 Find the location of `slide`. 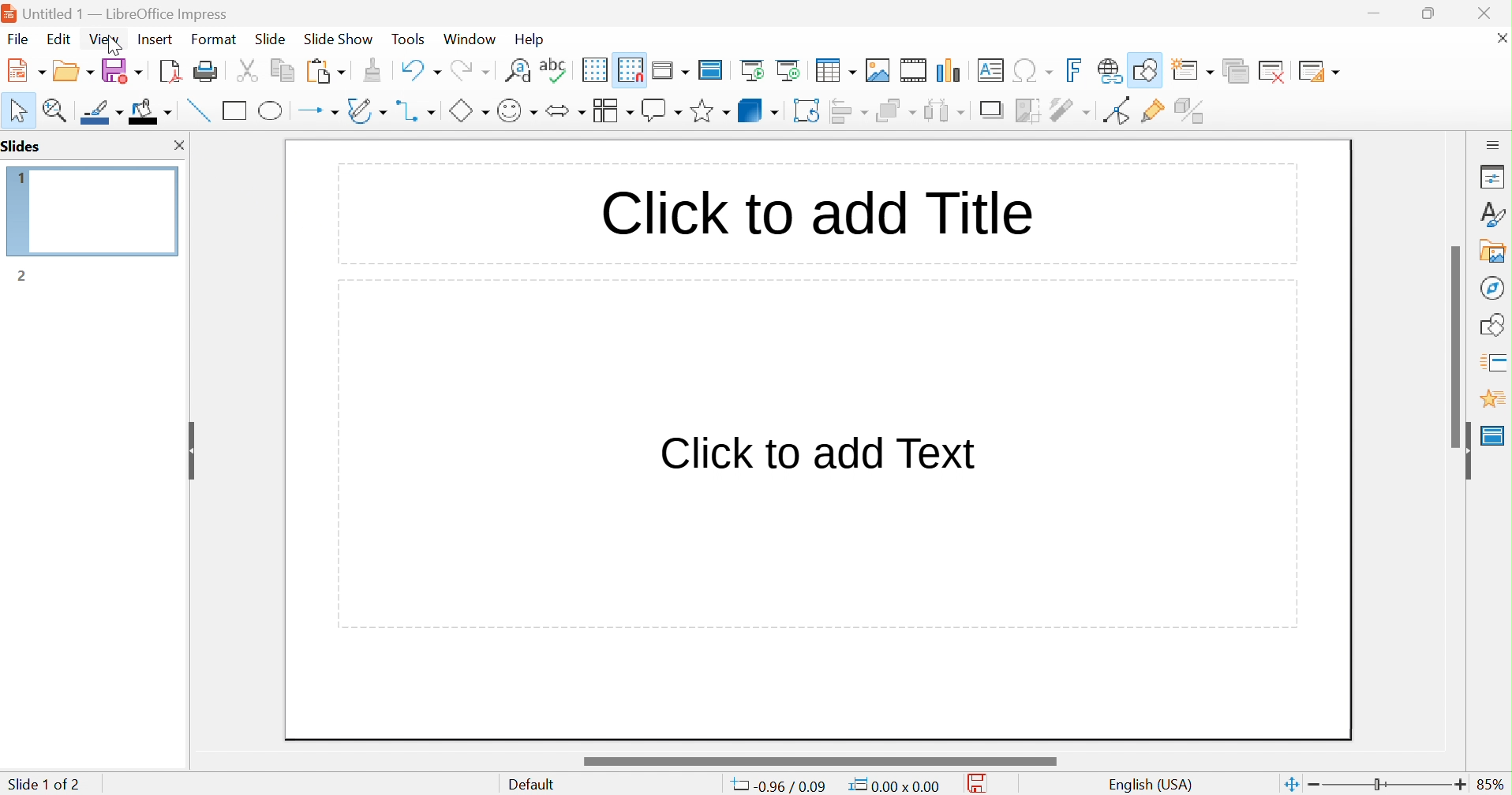

slide is located at coordinates (271, 39).